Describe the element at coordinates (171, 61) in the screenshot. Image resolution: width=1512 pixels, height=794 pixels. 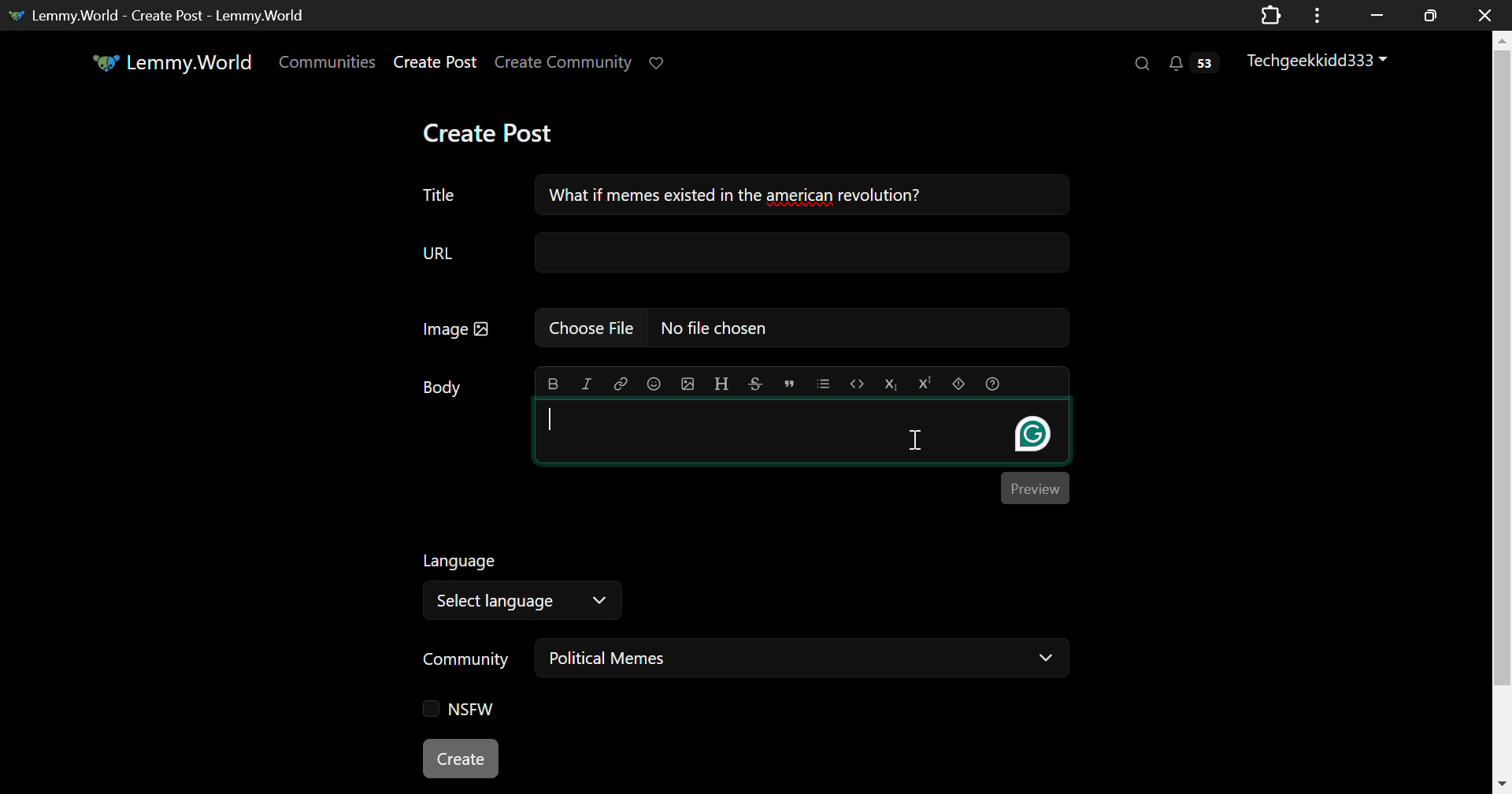
I see `Lemmy.World` at that location.